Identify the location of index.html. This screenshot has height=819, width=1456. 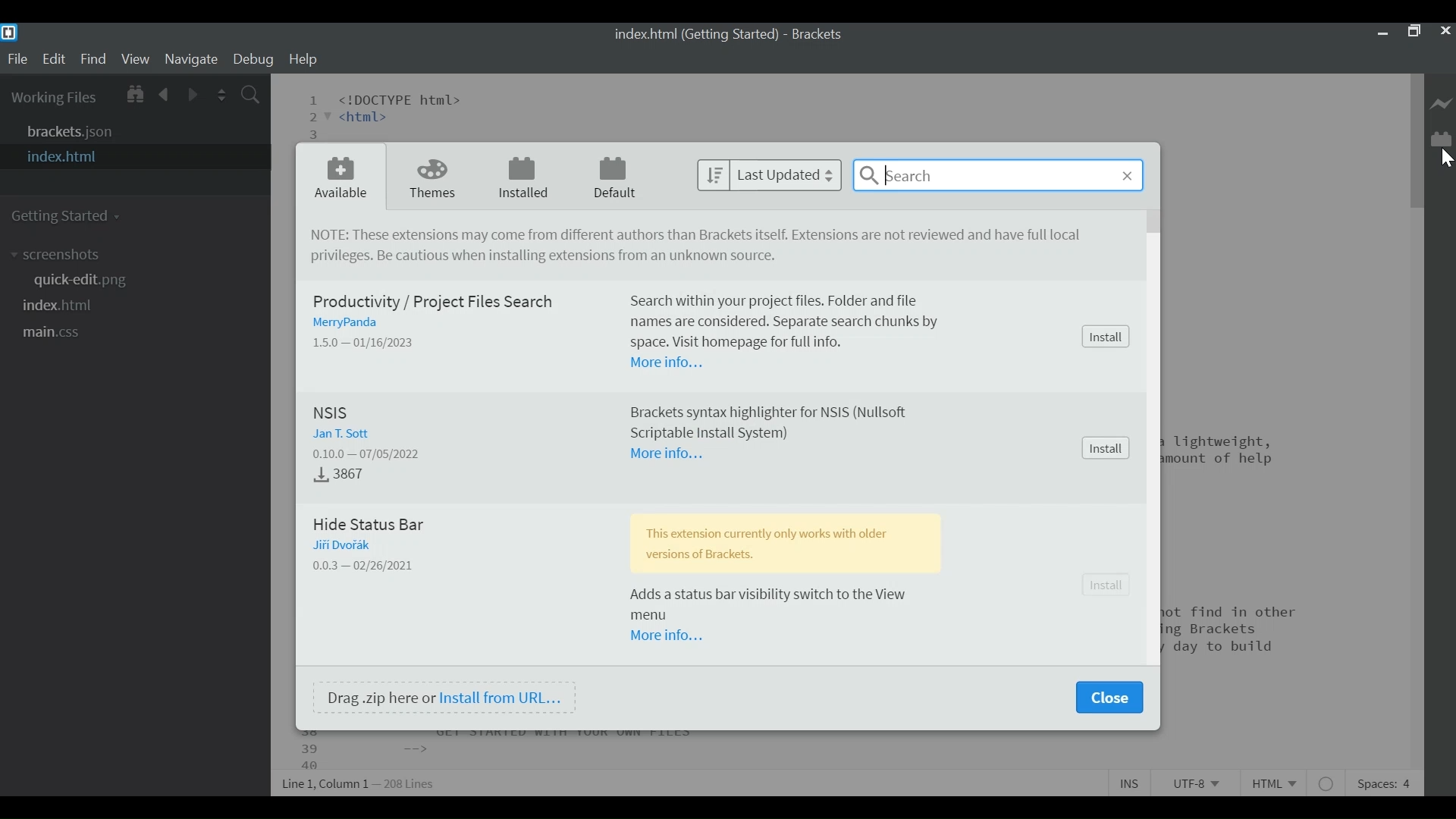
(66, 306).